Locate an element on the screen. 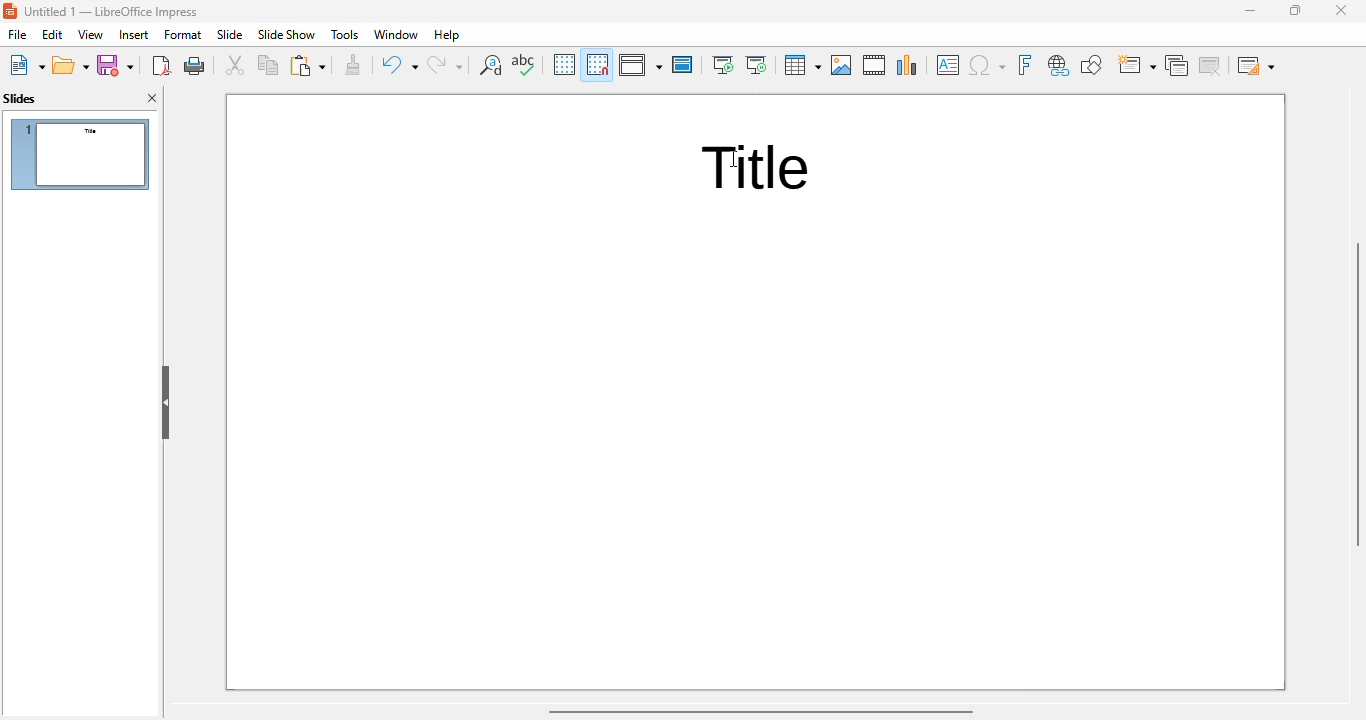 This screenshot has height=720, width=1366. find and replace is located at coordinates (491, 65).